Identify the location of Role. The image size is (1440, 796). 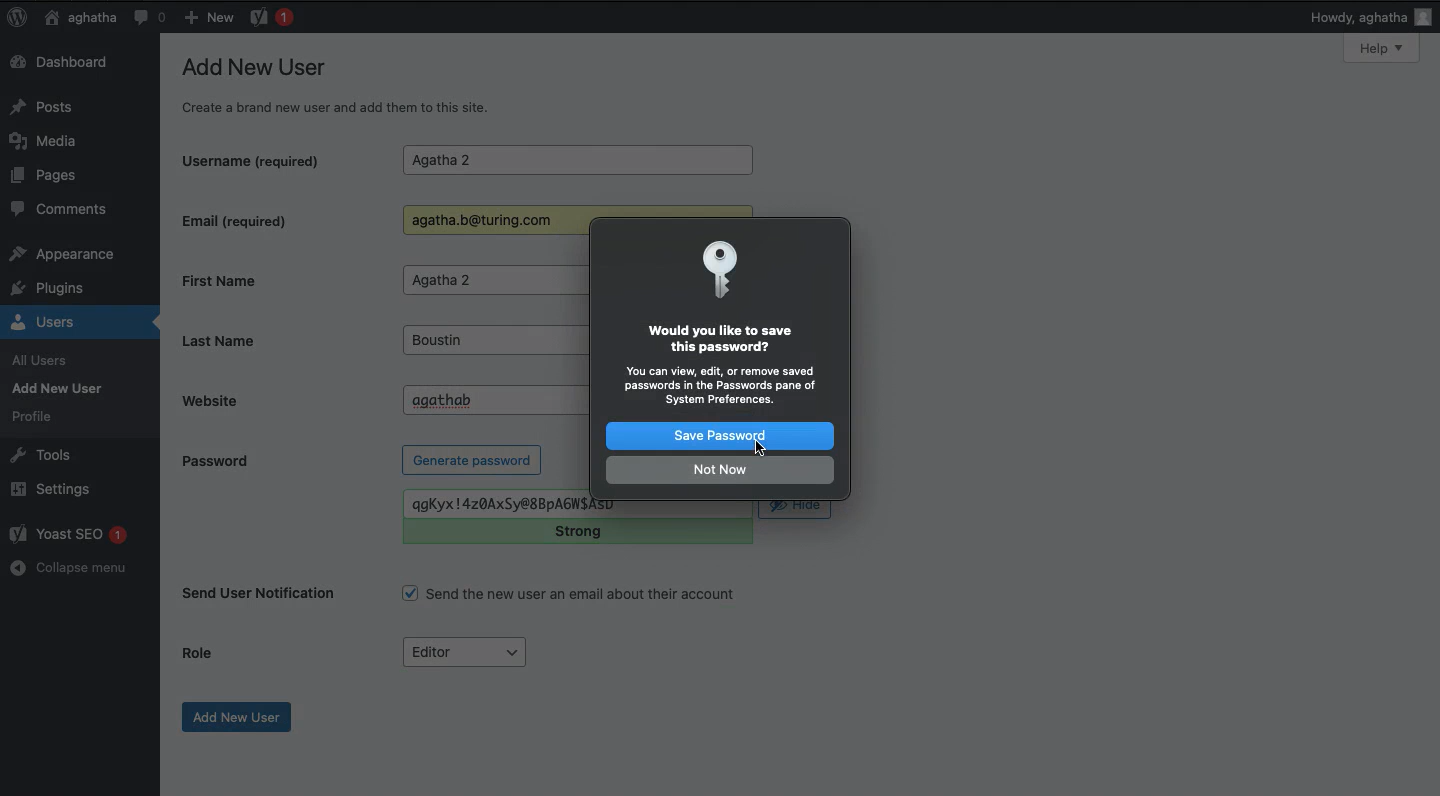
(198, 651).